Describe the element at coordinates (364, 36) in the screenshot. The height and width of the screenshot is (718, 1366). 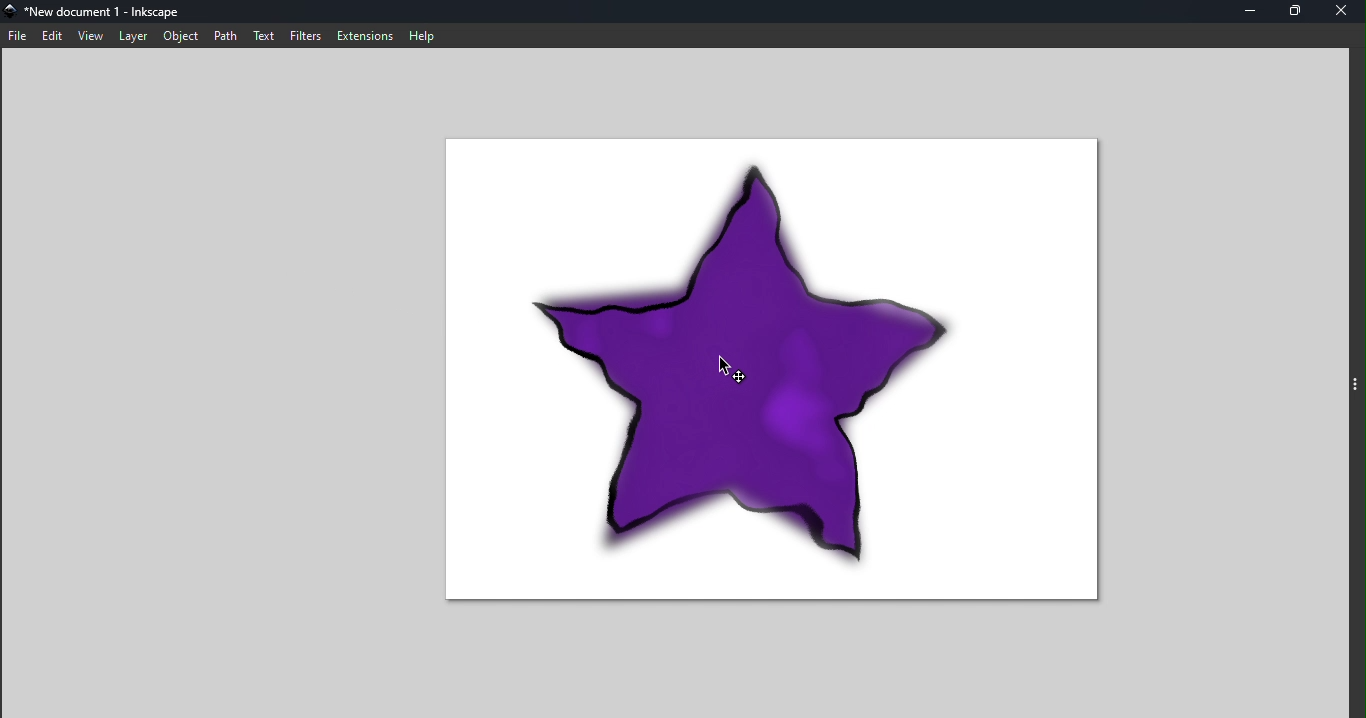
I see `Extensions` at that location.